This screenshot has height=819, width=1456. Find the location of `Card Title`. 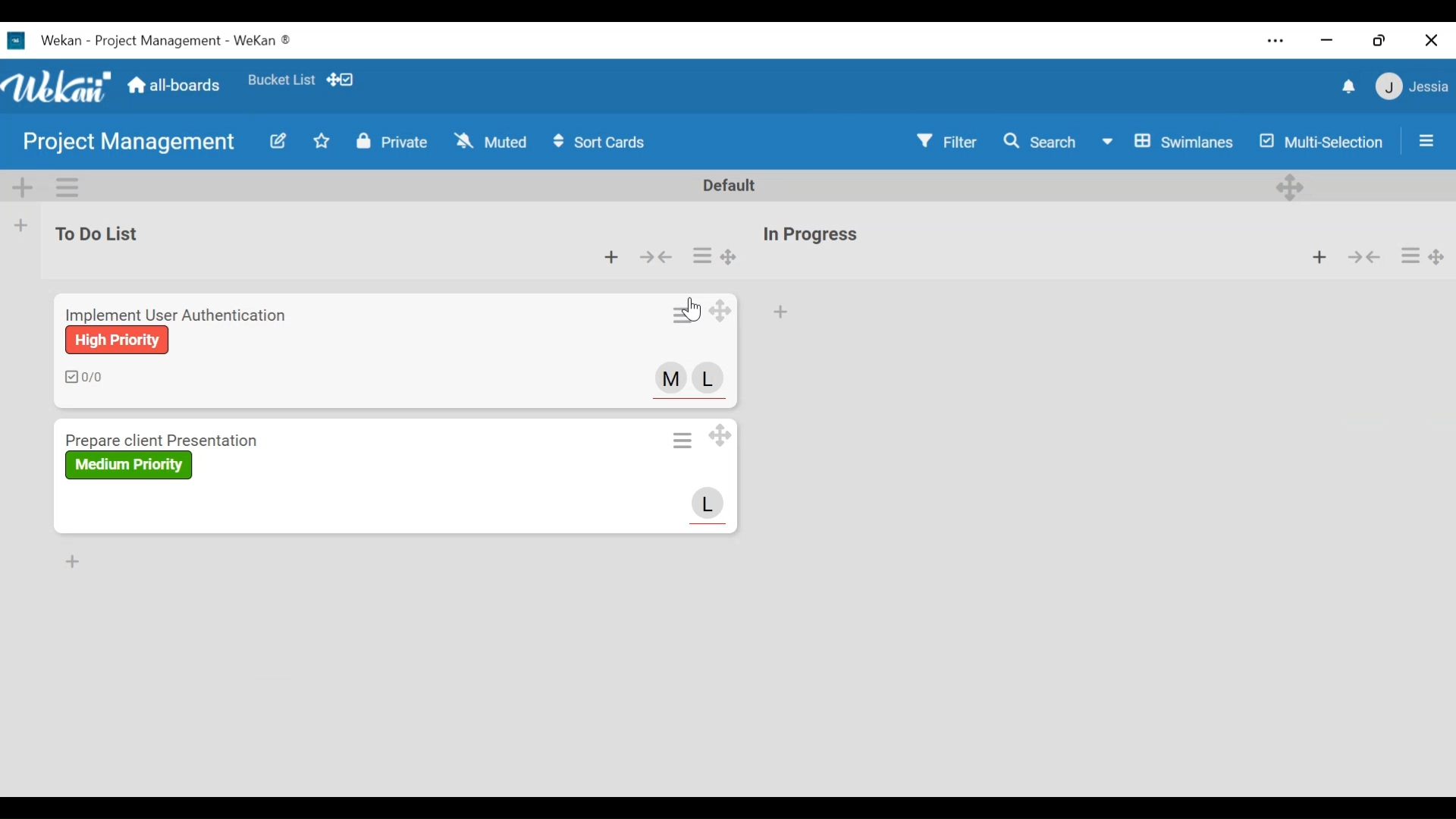

Card Title is located at coordinates (180, 313).